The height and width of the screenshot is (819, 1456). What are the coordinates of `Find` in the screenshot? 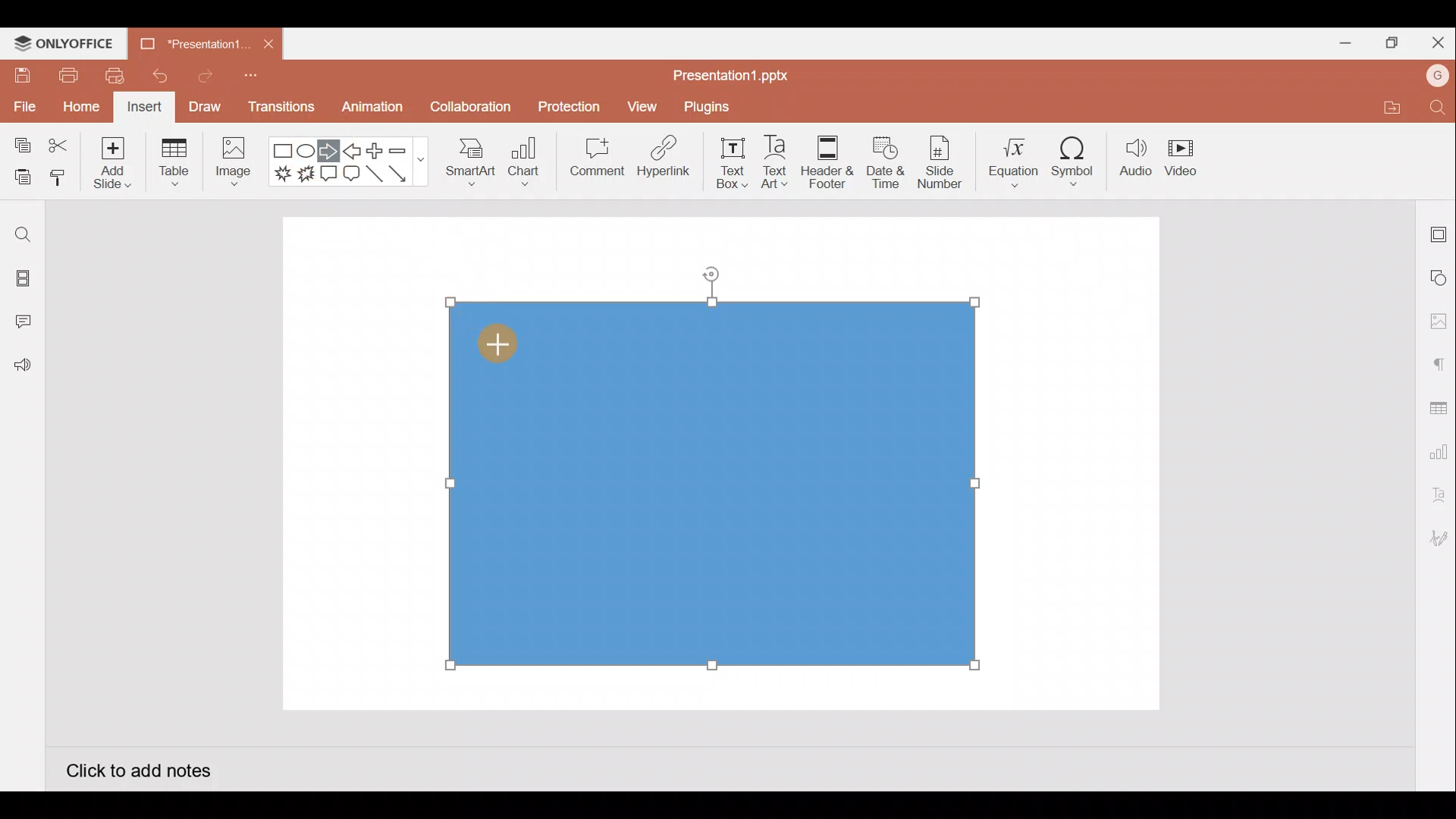 It's located at (1439, 107).